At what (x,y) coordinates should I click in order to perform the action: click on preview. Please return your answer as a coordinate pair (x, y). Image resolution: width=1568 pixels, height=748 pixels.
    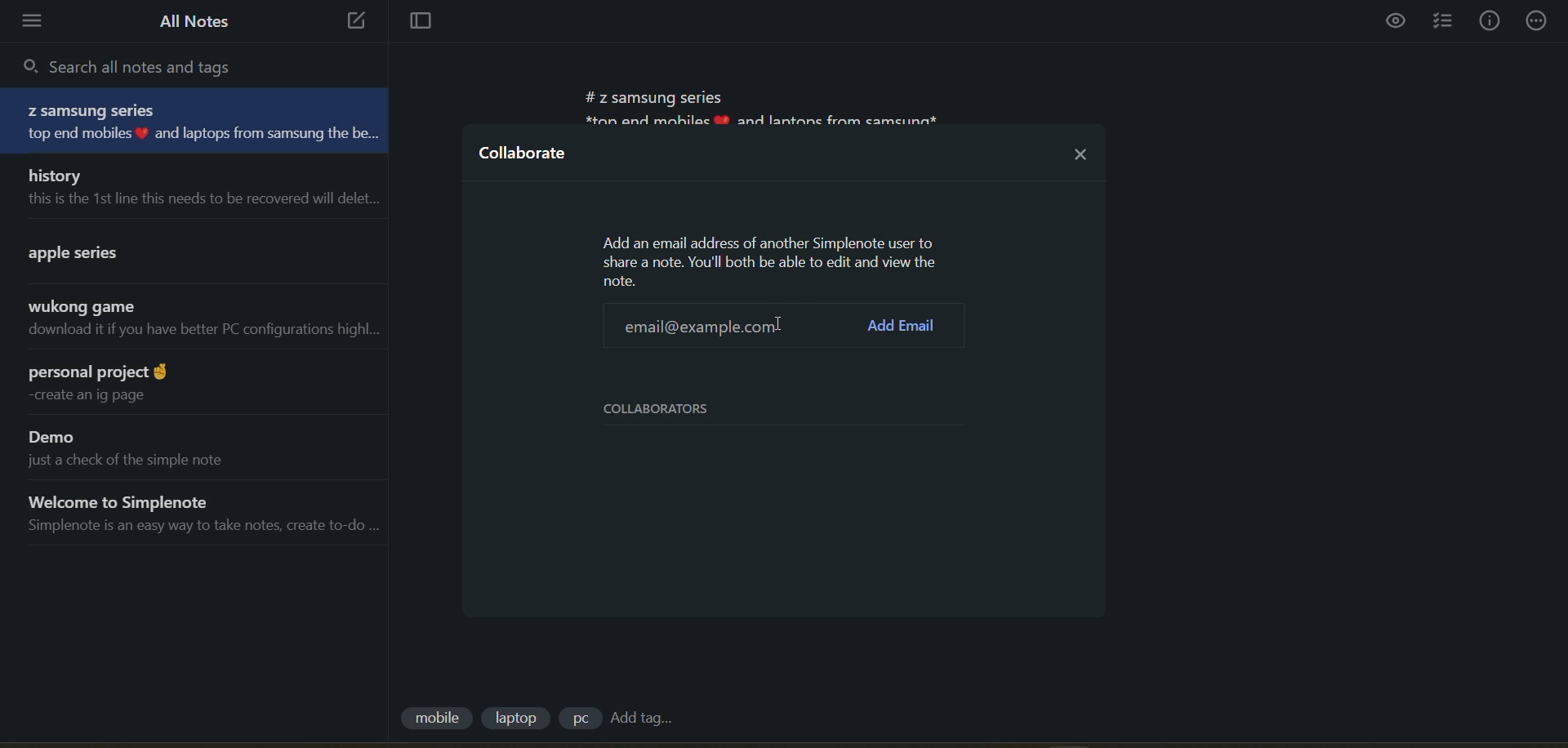
    Looking at the image, I should click on (1397, 23).